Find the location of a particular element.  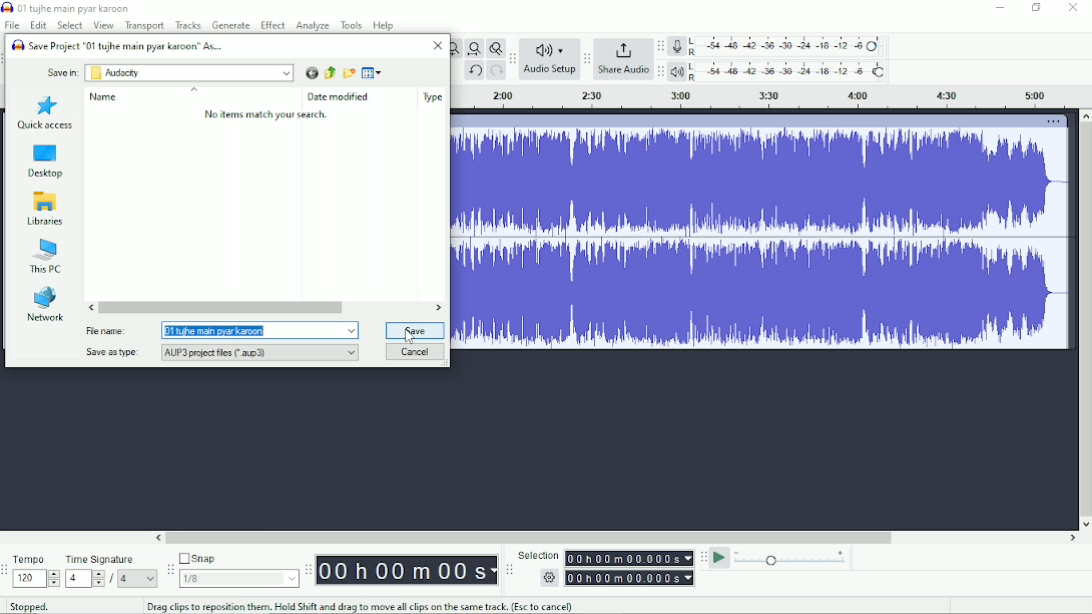

Create new folder is located at coordinates (348, 72).